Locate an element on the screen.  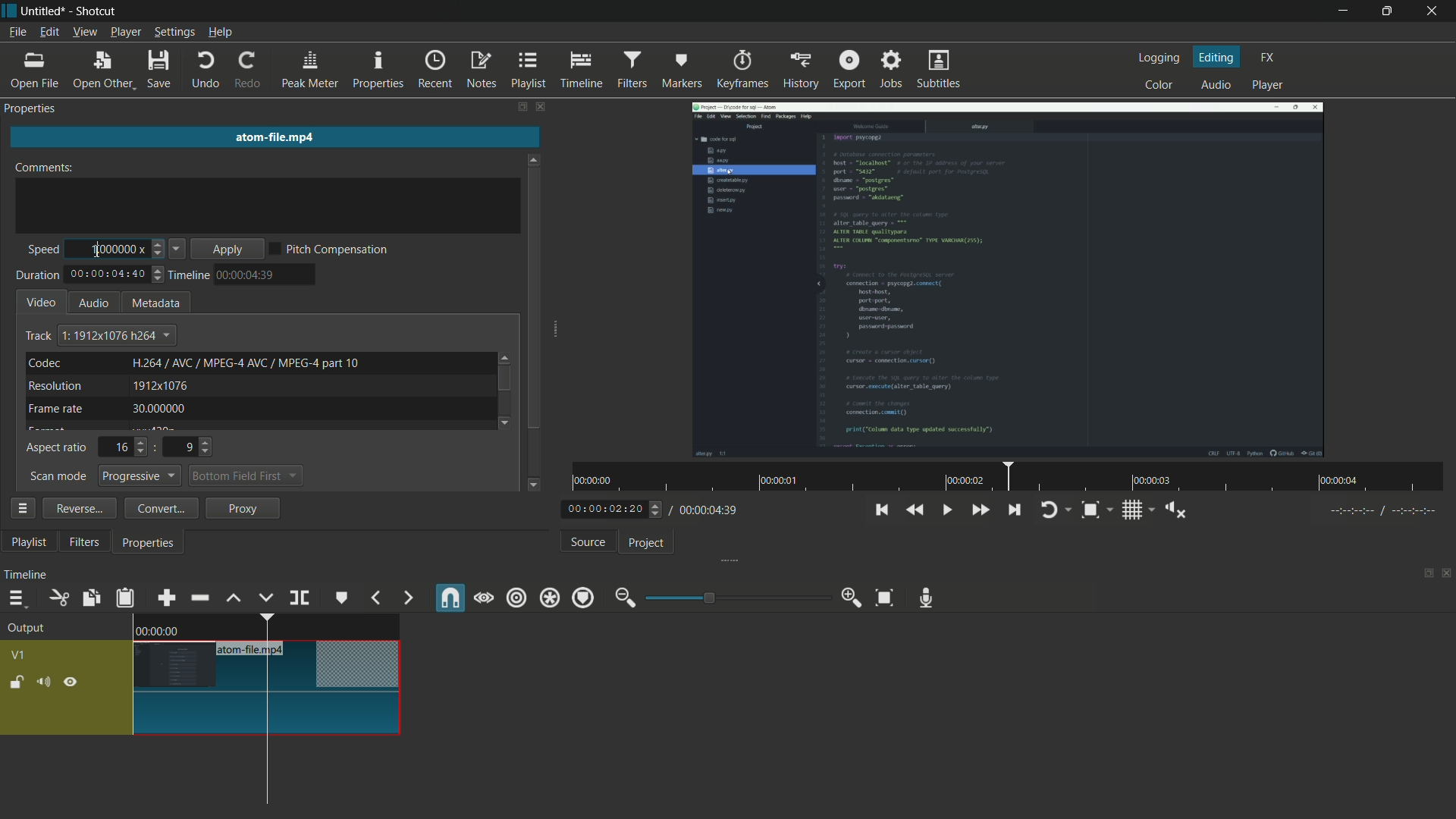
toggle grid is located at coordinates (1131, 510).